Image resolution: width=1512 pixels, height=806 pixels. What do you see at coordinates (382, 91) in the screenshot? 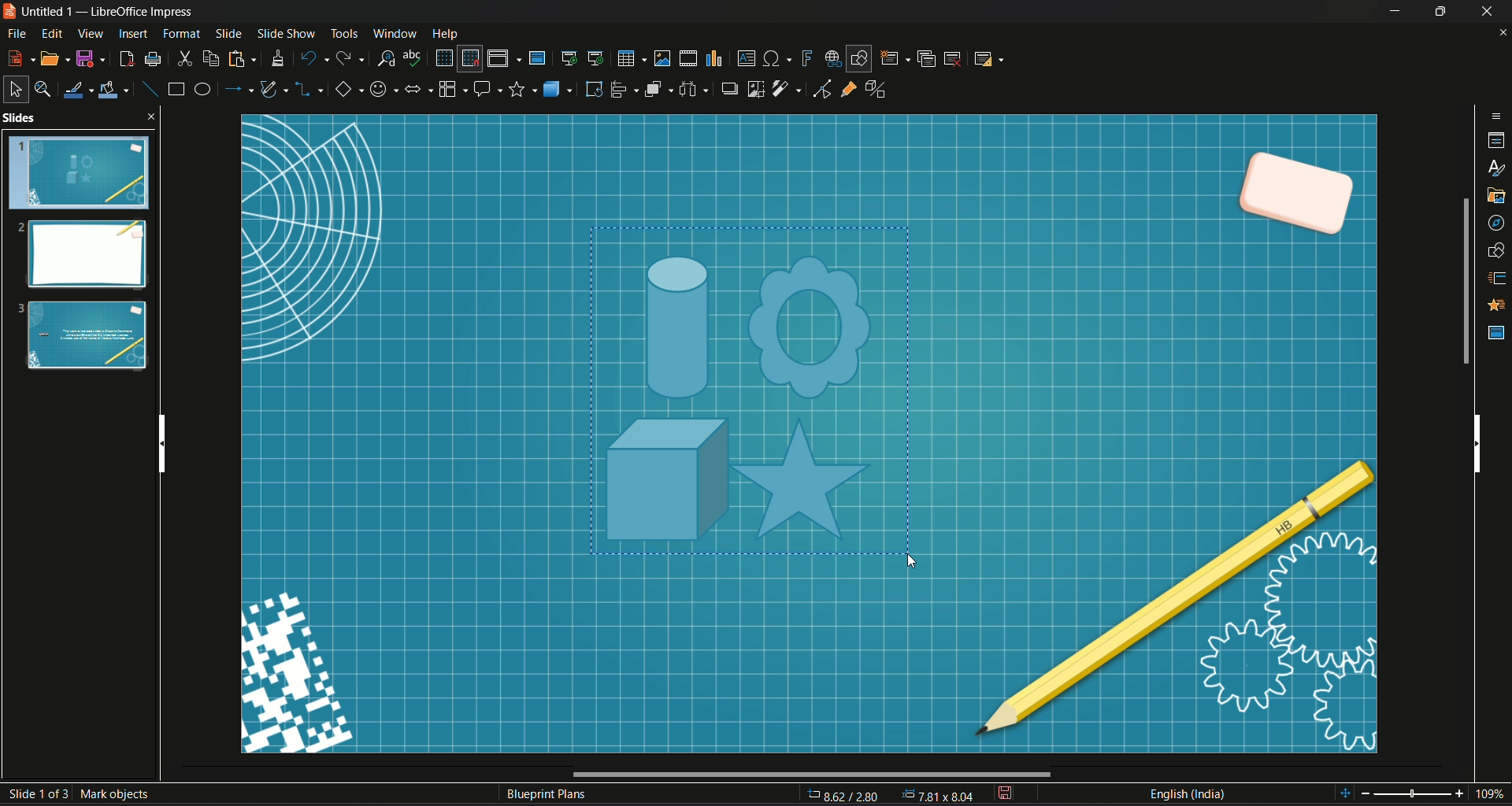
I see `symbol shape` at bounding box center [382, 91].